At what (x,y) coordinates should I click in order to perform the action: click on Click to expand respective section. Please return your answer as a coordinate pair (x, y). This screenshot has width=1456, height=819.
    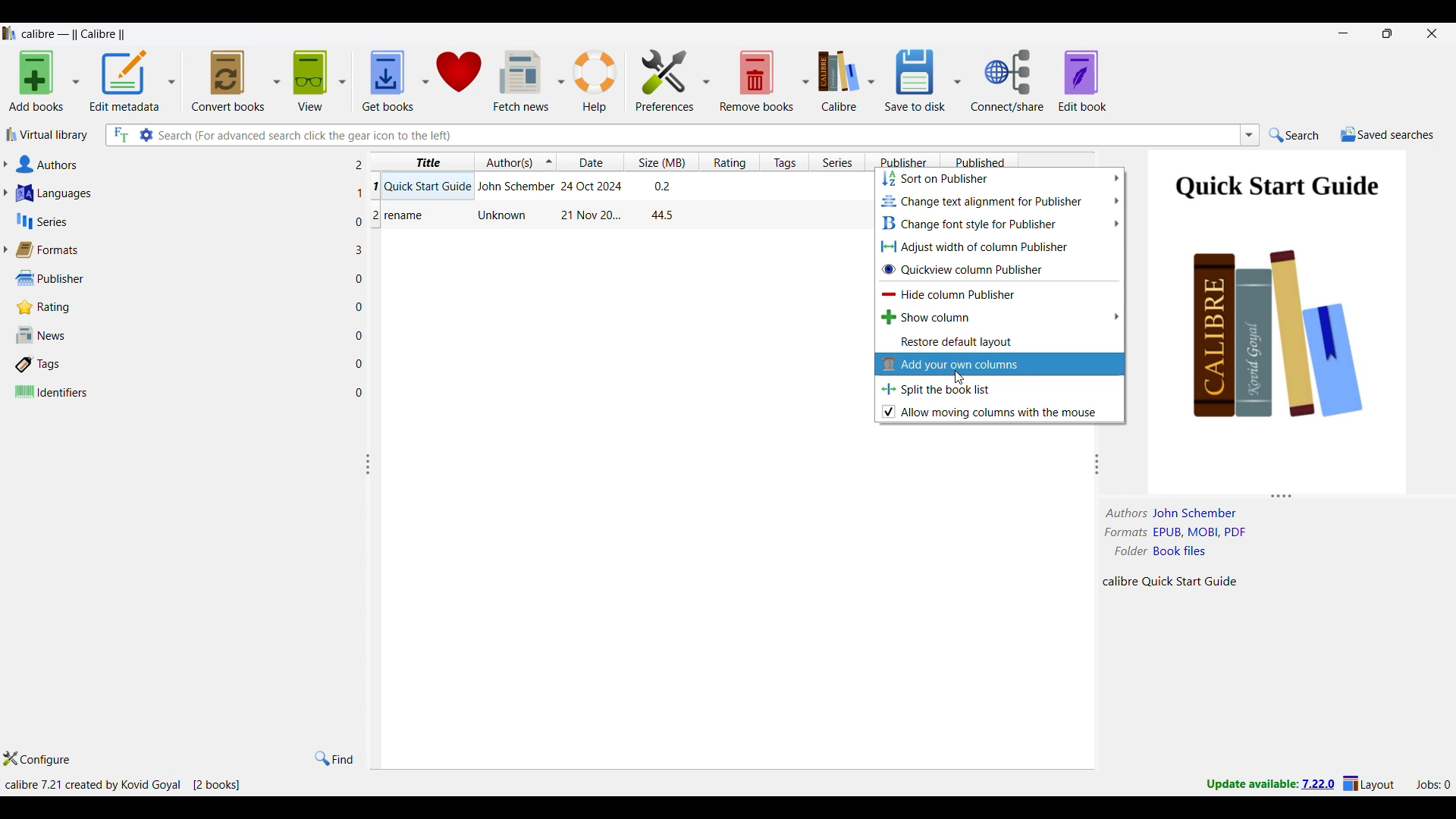
    Looking at the image, I should click on (5, 208).